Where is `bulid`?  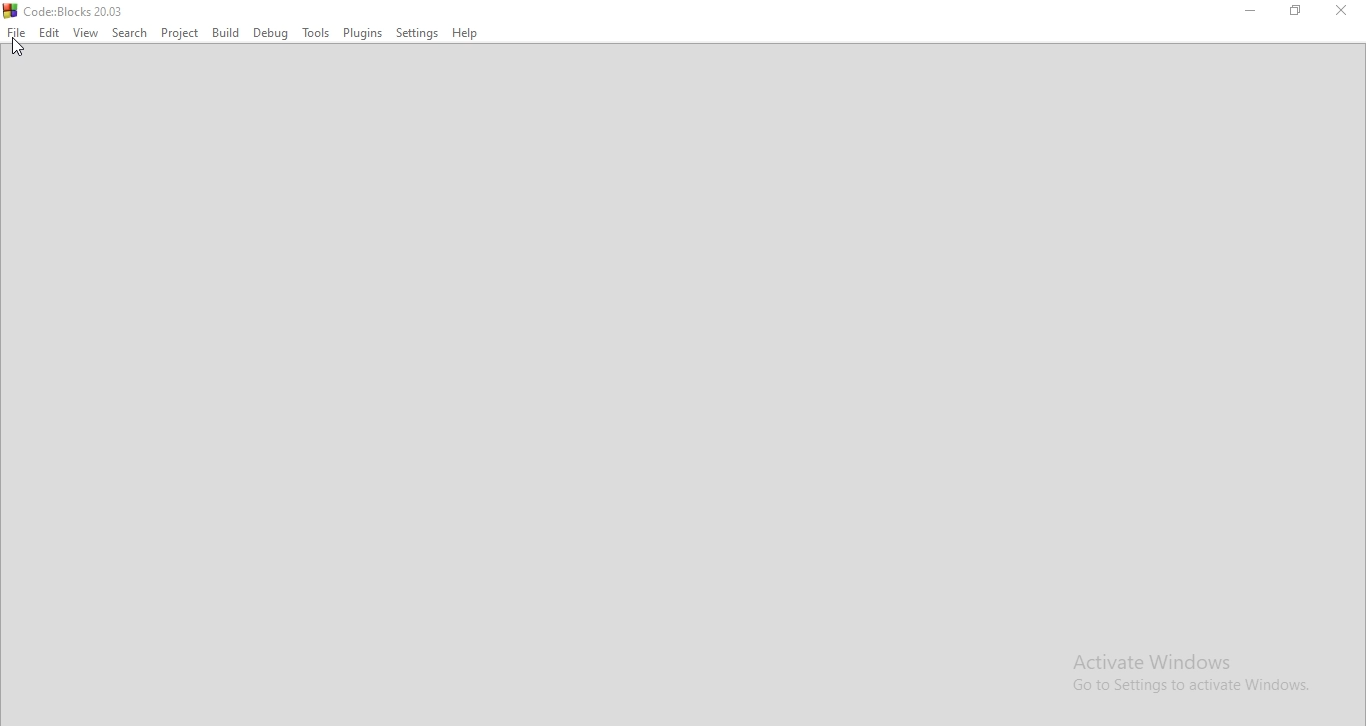
bulid is located at coordinates (224, 32).